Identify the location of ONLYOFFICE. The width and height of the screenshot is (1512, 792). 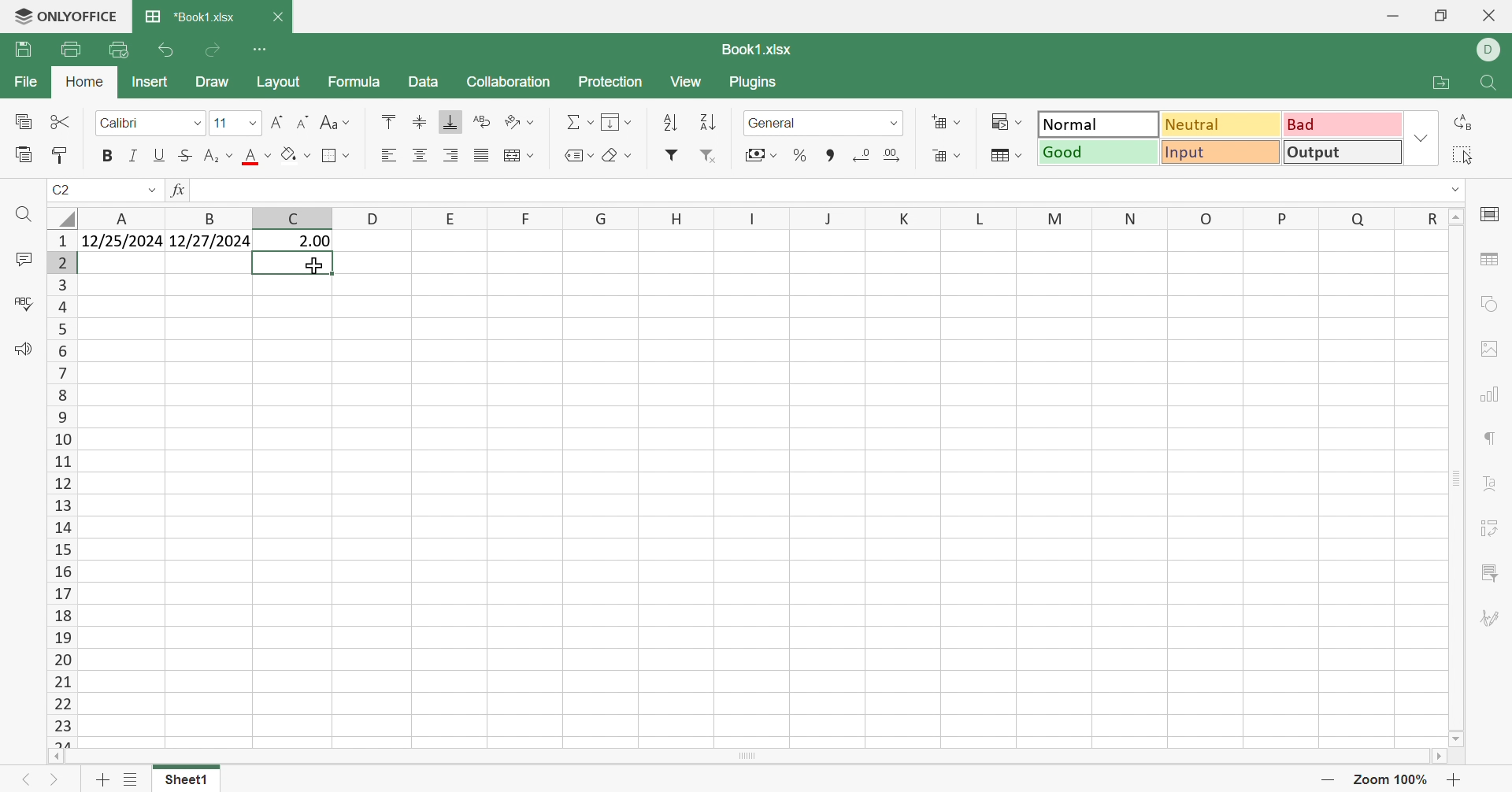
(62, 19).